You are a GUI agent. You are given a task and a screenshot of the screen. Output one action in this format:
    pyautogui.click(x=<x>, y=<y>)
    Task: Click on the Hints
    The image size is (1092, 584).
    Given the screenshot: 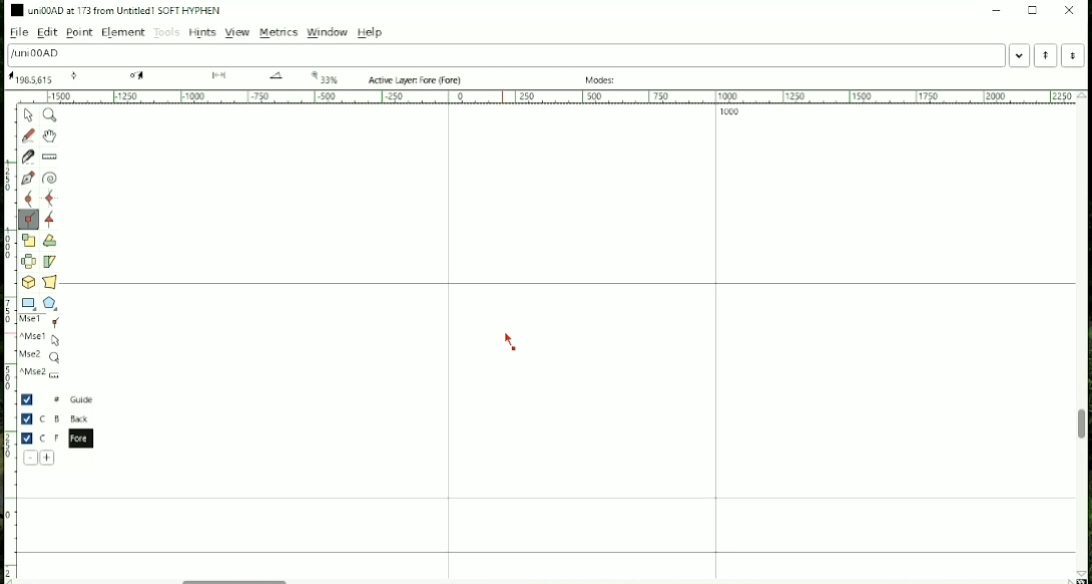 What is the action you would take?
    pyautogui.click(x=202, y=34)
    